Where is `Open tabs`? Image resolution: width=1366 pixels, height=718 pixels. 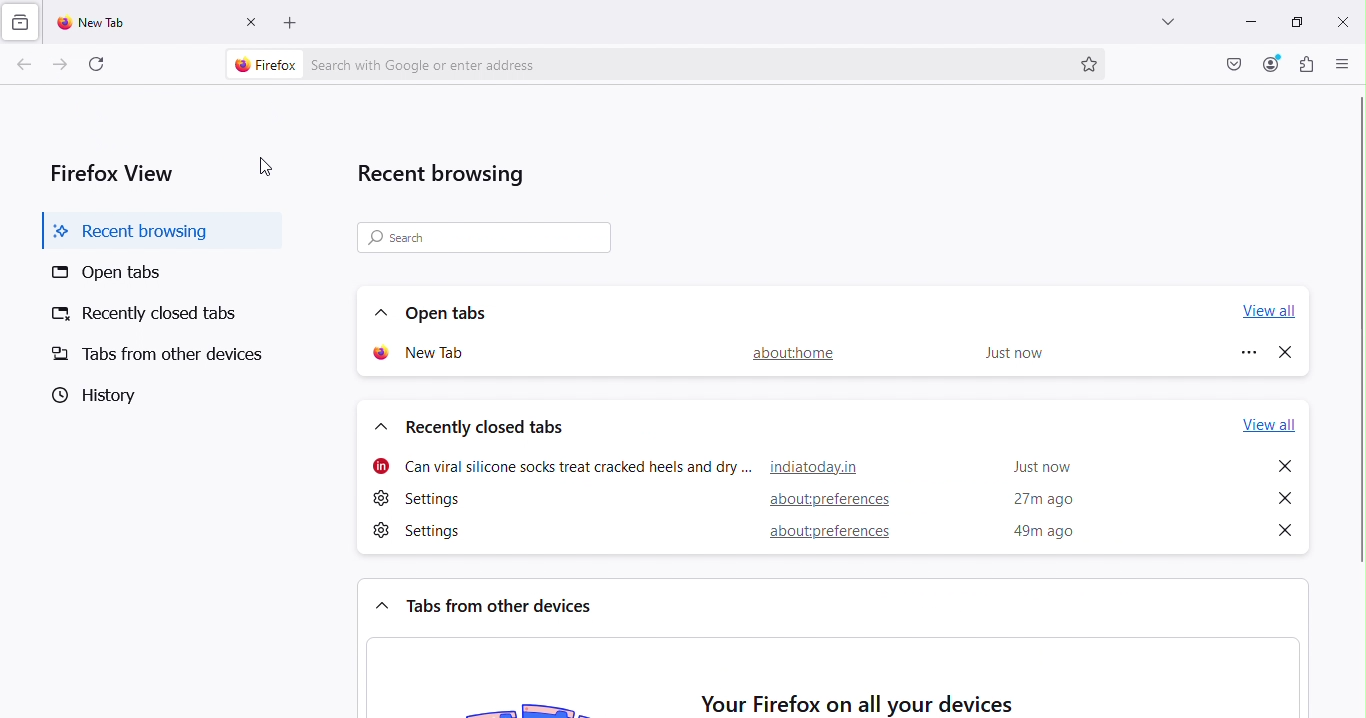
Open tabs is located at coordinates (111, 275).